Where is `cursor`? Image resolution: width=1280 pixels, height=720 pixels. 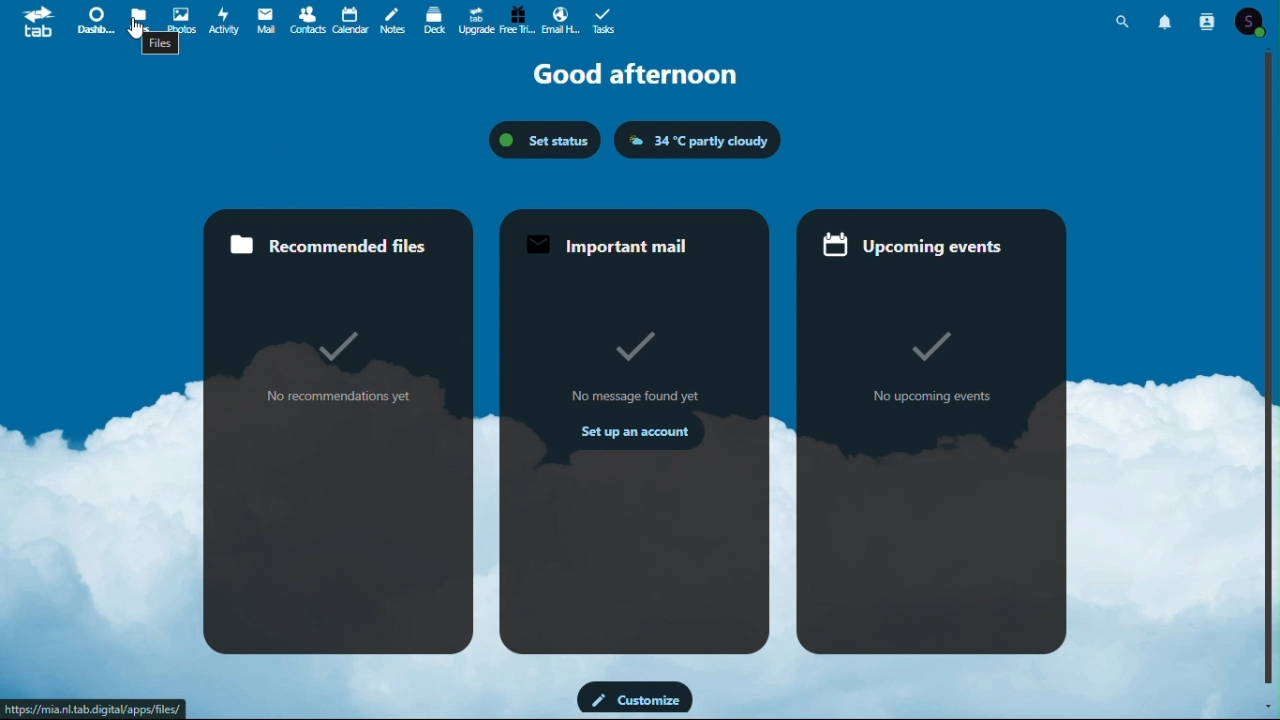
cursor is located at coordinates (142, 29).